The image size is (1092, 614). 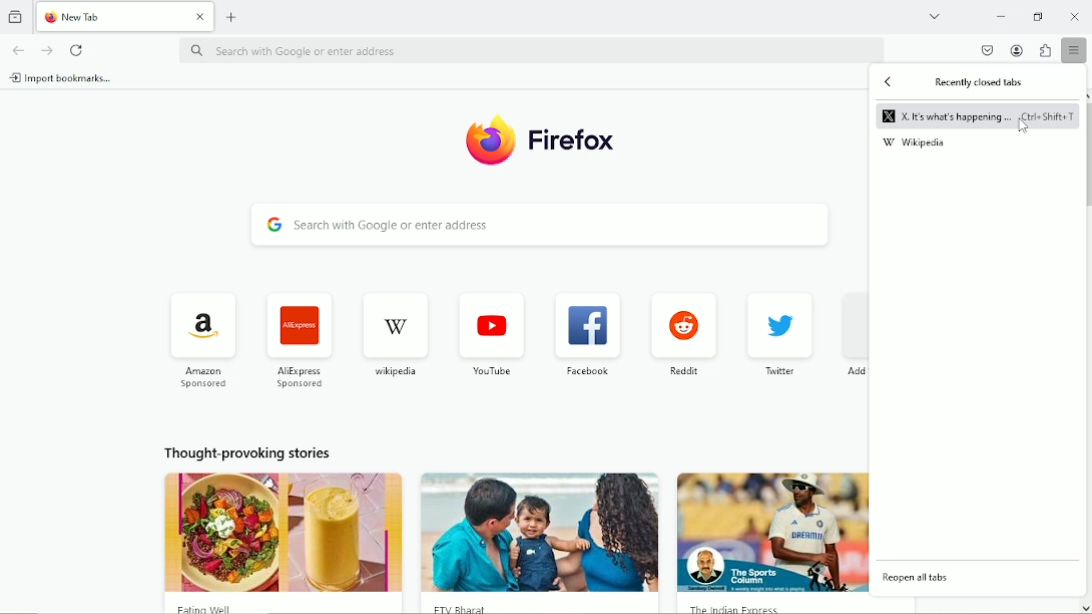 What do you see at coordinates (393, 372) in the screenshot?
I see `wikipedia` at bounding box center [393, 372].